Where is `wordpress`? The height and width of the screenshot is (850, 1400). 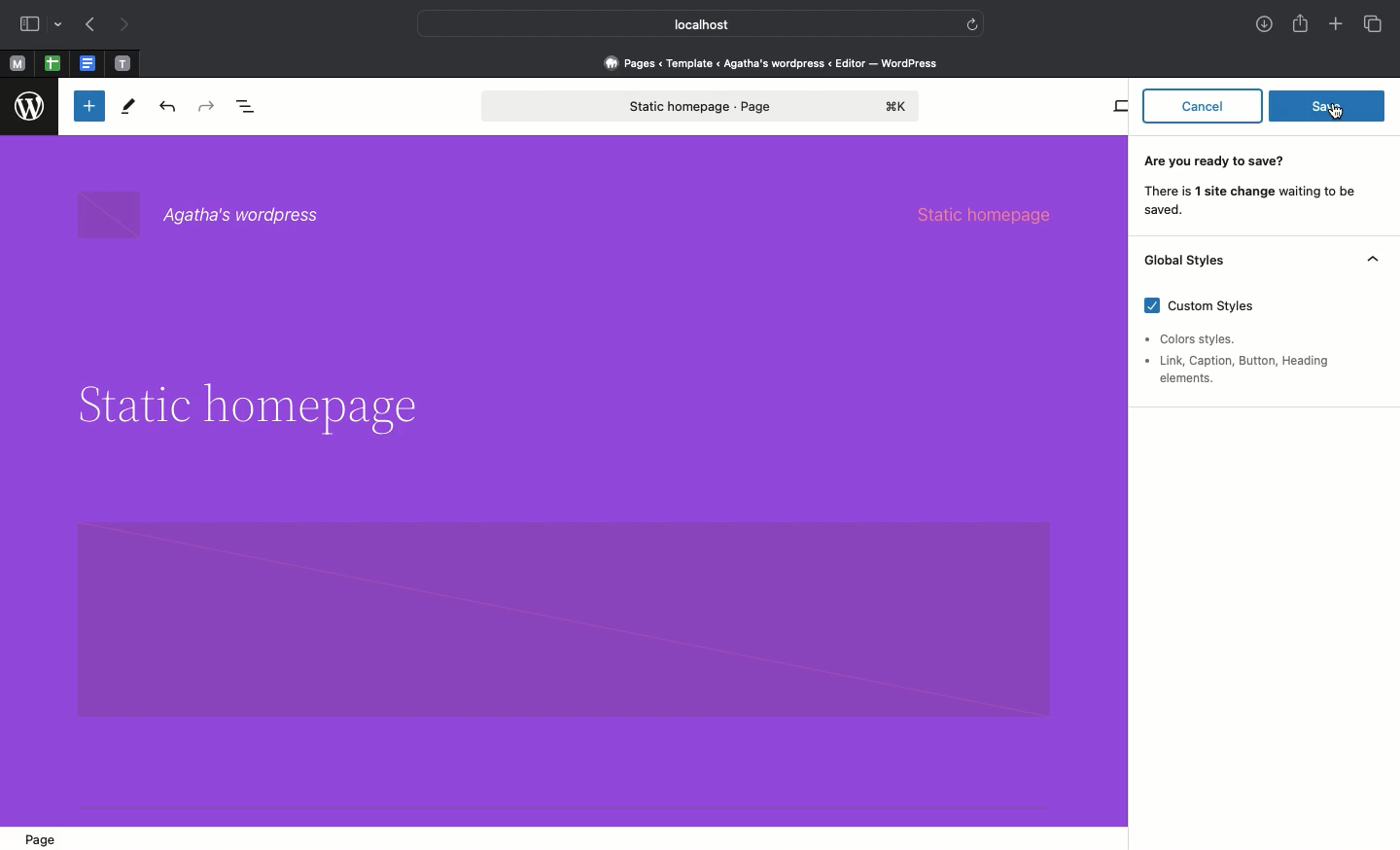
wordpress is located at coordinates (30, 107).